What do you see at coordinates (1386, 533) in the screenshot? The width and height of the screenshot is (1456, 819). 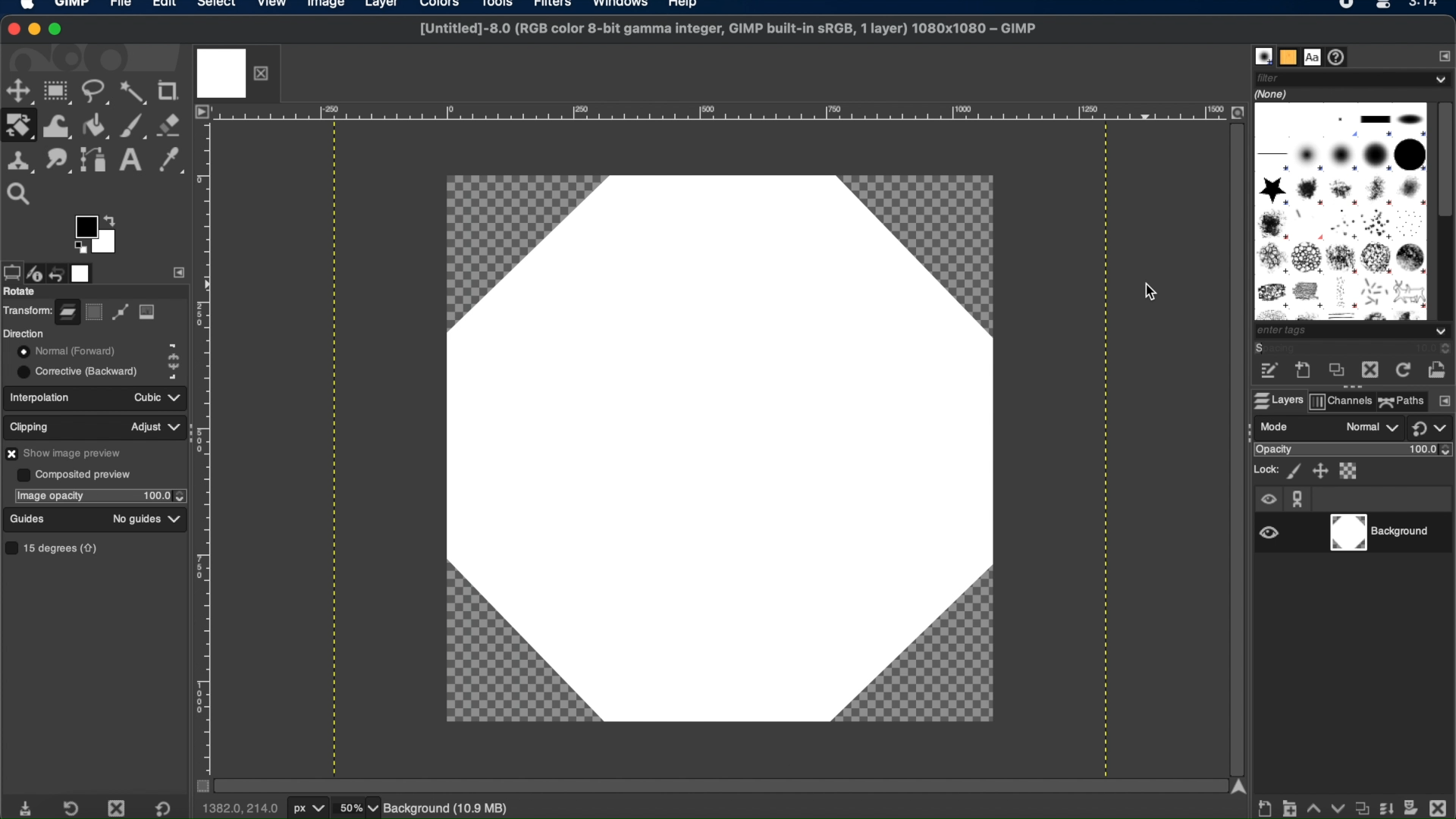 I see `background` at bounding box center [1386, 533].